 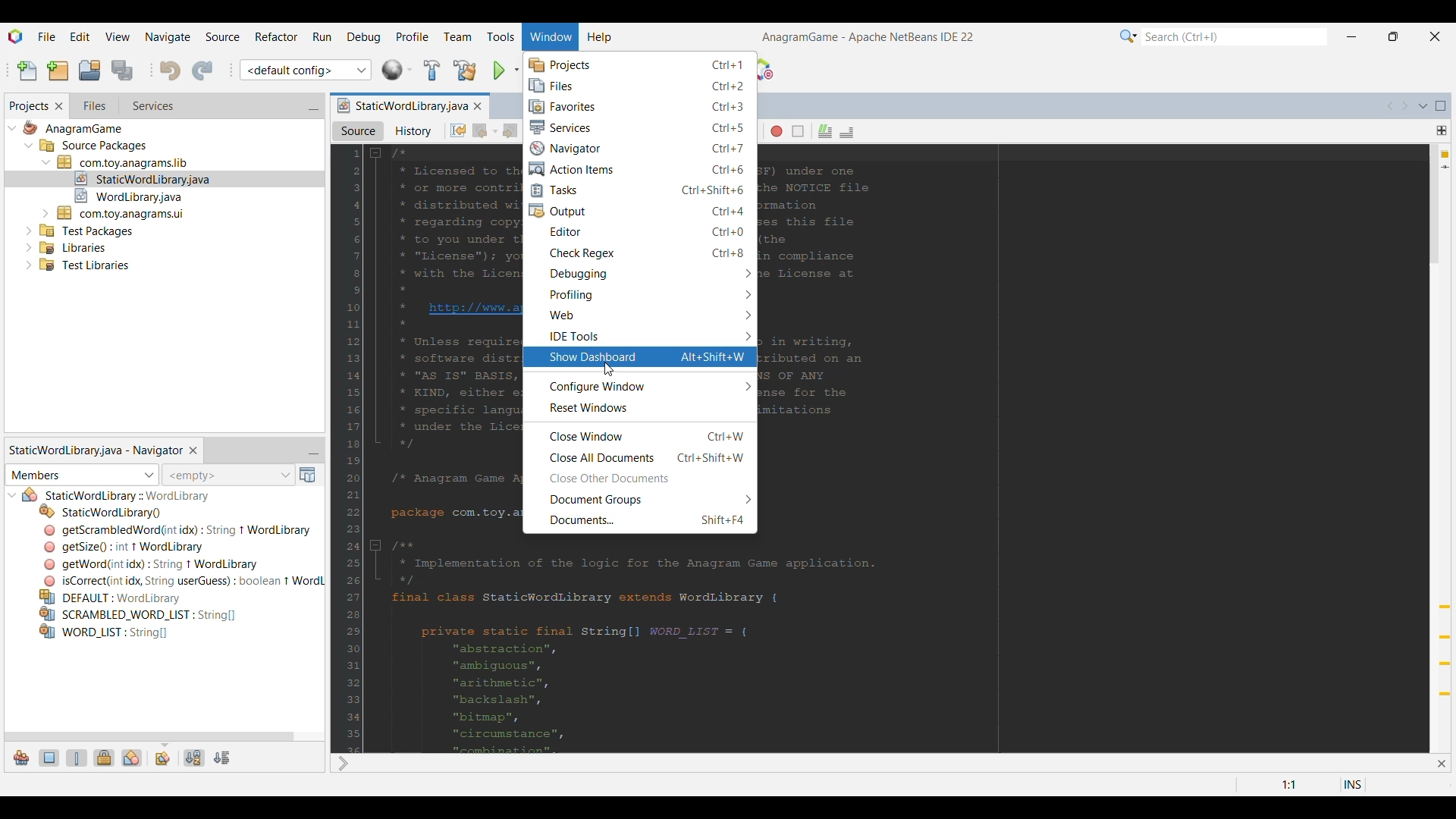 I want to click on New project, so click(x=58, y=71).